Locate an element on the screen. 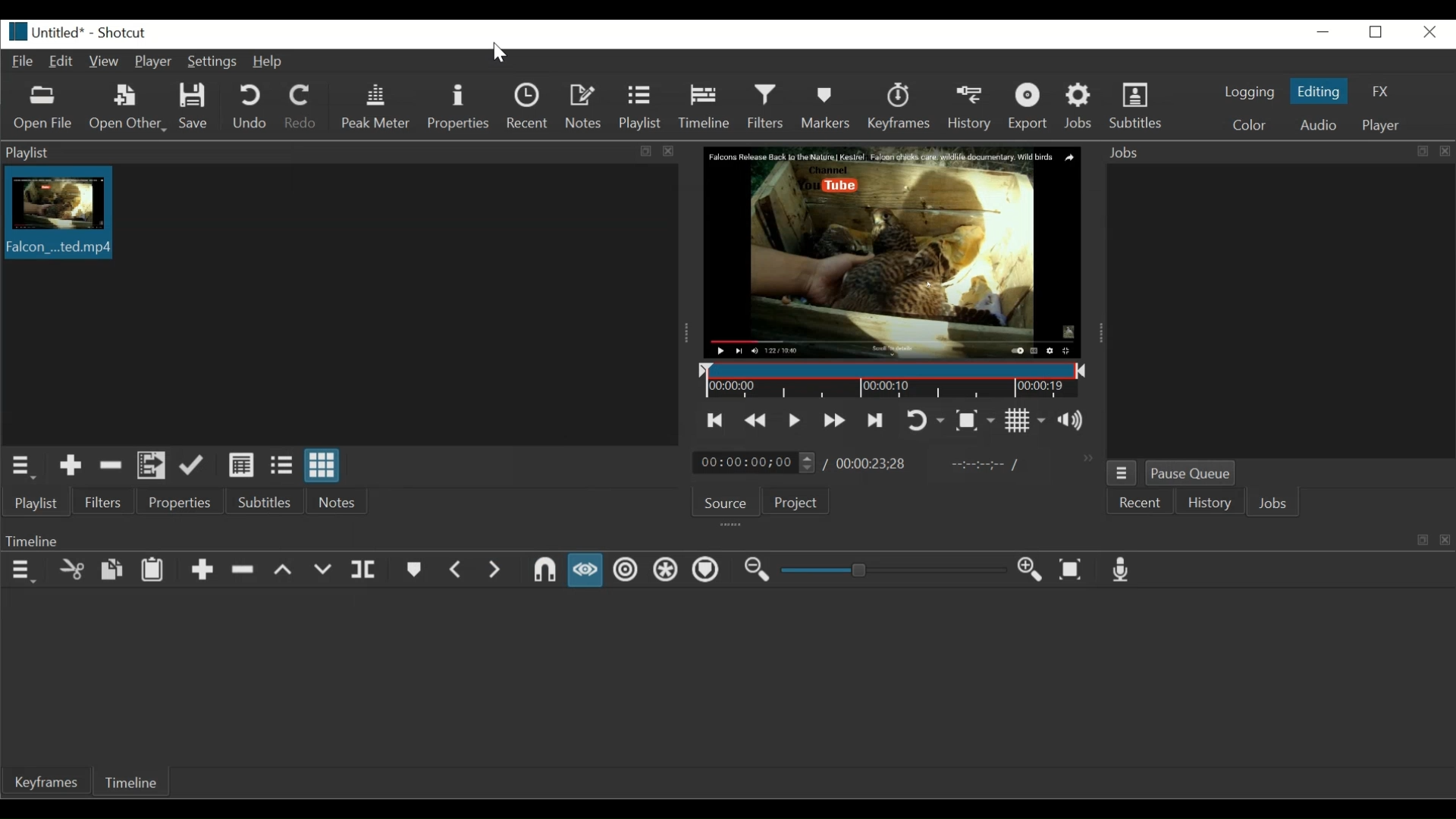 Image resolution: width=1456 pixels, height=819 pixels. Append is located at coordinates (202, 571).